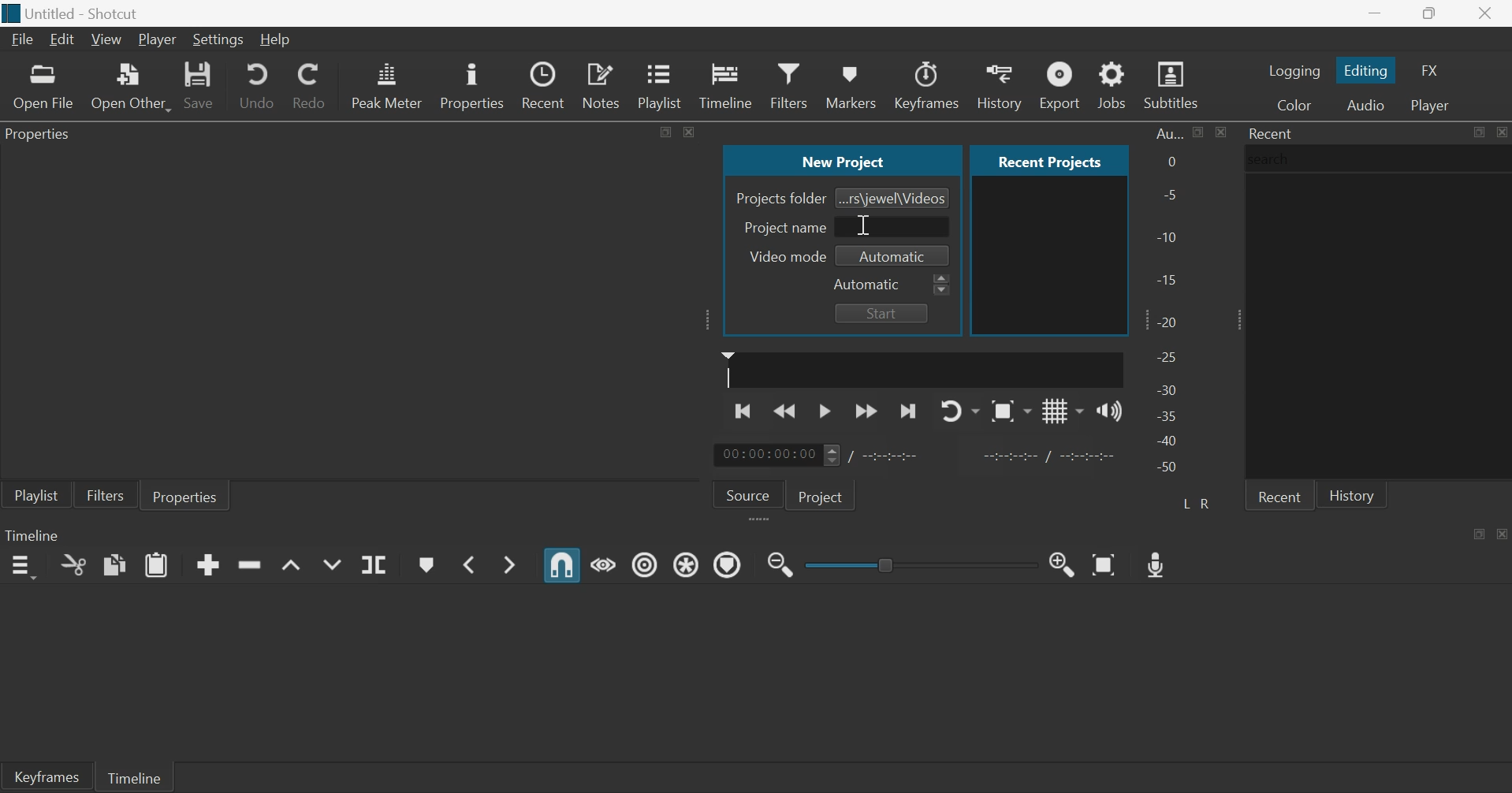 The width and height of the screenshot is (1512, 793). Describe the element at coordinates (1375, 13) in the screenshot. I see `Minimize` at that location.